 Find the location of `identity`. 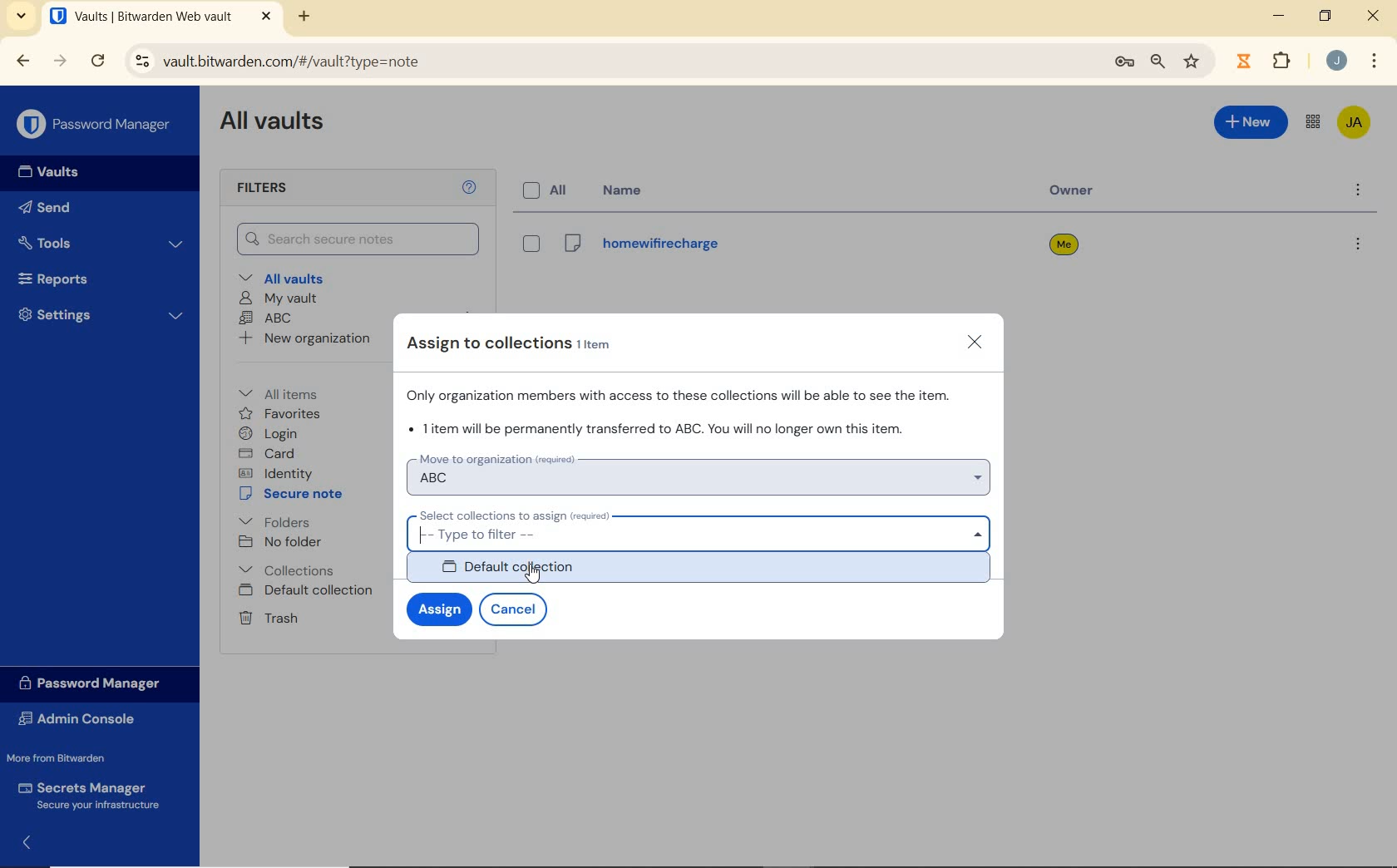

identity is located at coordinates (275, 472).